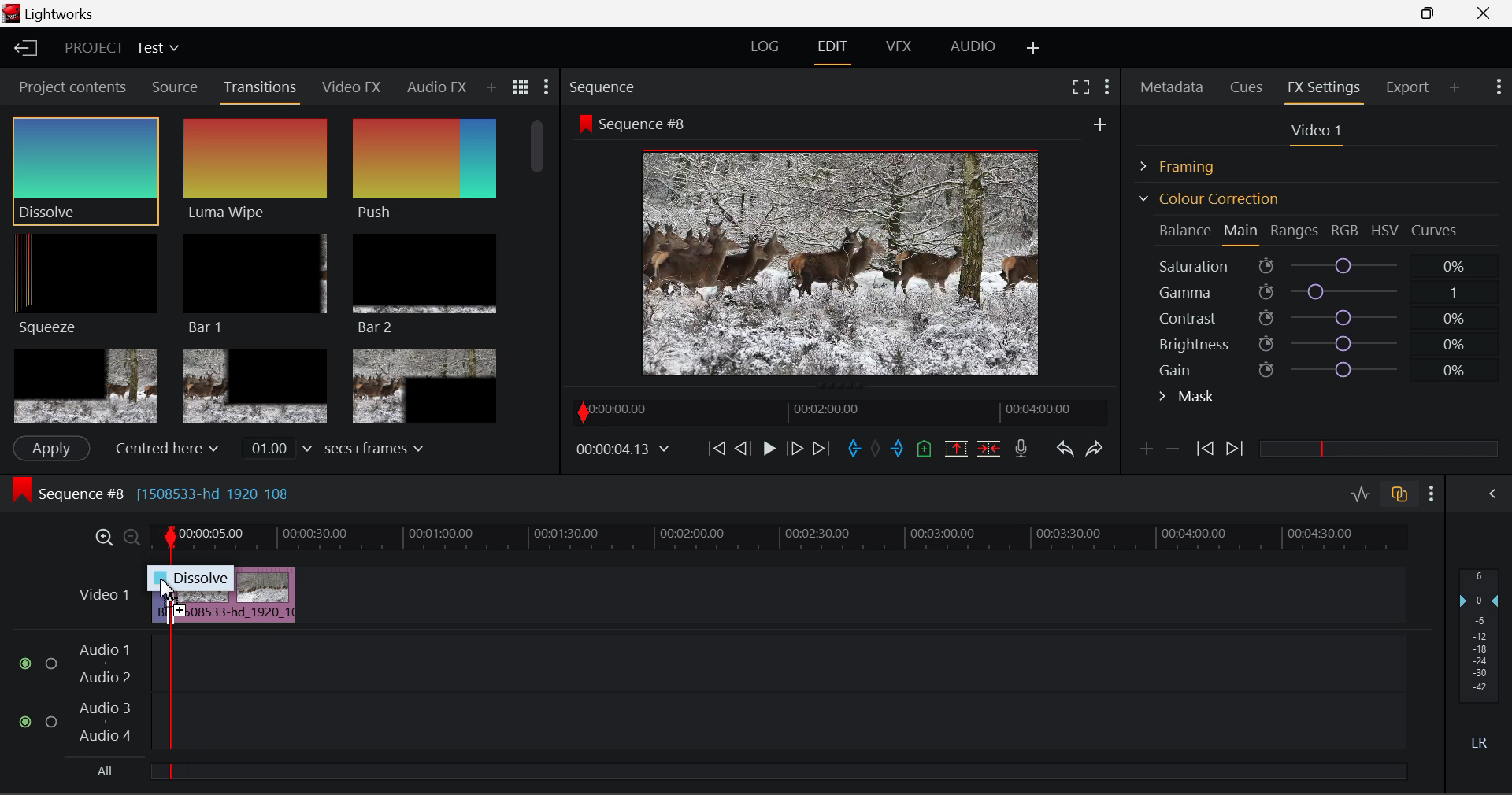 This screenshot has width=1512, height=795. Describe the element at coordinates (1242, 232) in the screenshot. I see `Main Tab Open` at that location.